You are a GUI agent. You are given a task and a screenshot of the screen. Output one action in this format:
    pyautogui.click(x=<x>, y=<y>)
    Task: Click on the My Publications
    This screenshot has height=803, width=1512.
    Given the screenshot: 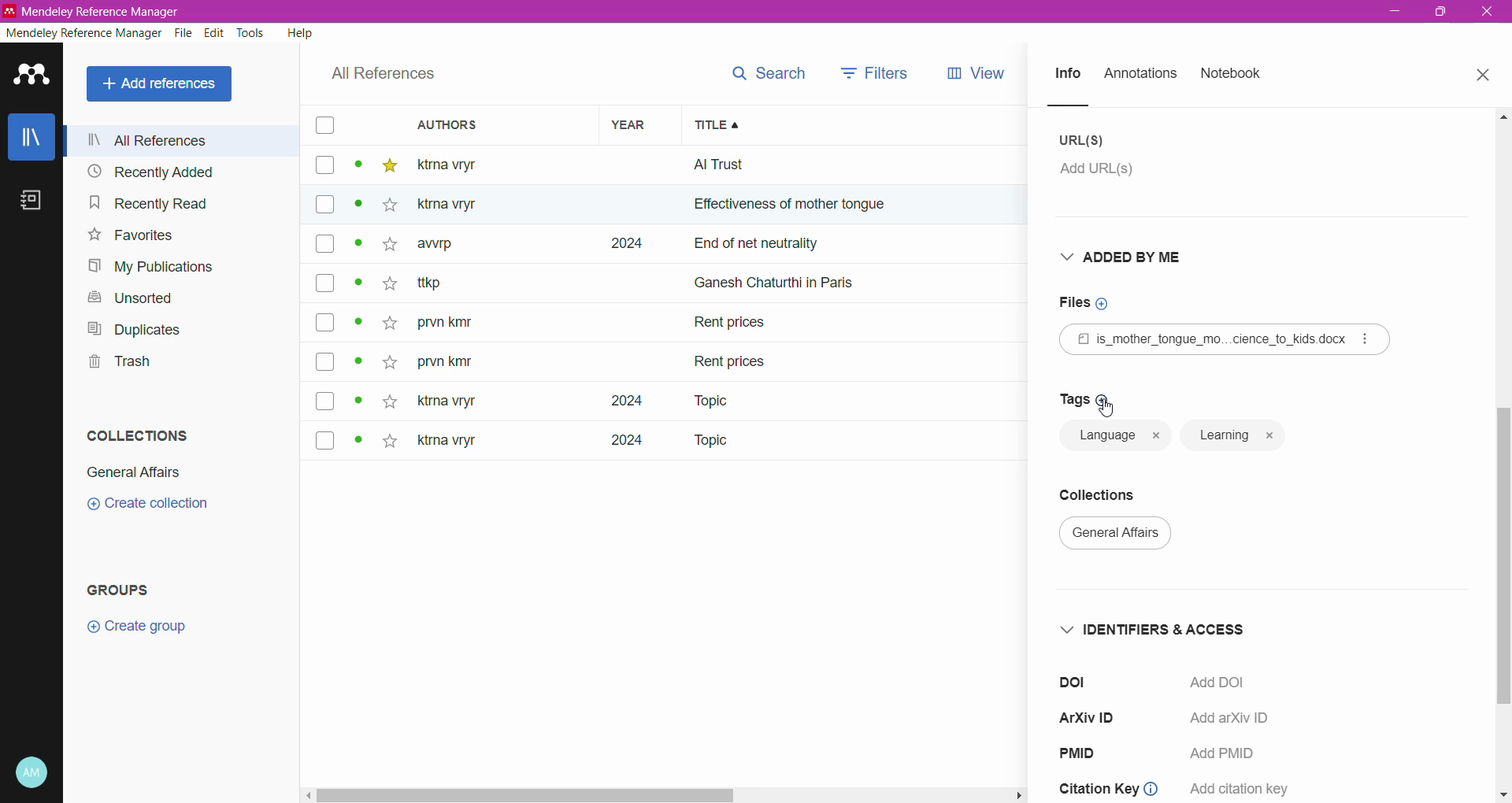 What is the action you would take?
    pyautogui.click(x=154, y=267)
    